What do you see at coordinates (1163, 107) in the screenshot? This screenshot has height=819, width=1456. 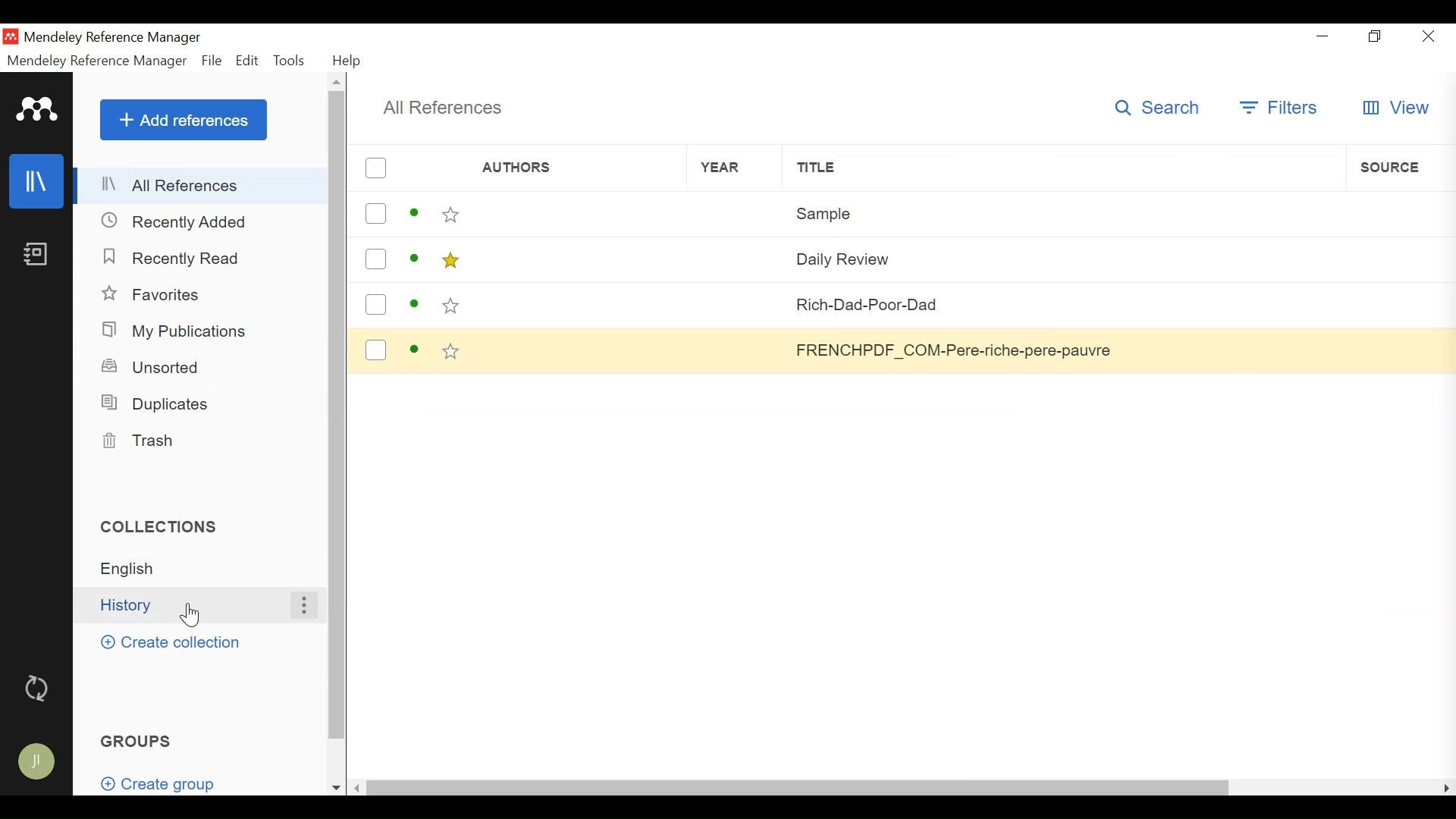 I see `Search` at bounding box center [1163, 107].